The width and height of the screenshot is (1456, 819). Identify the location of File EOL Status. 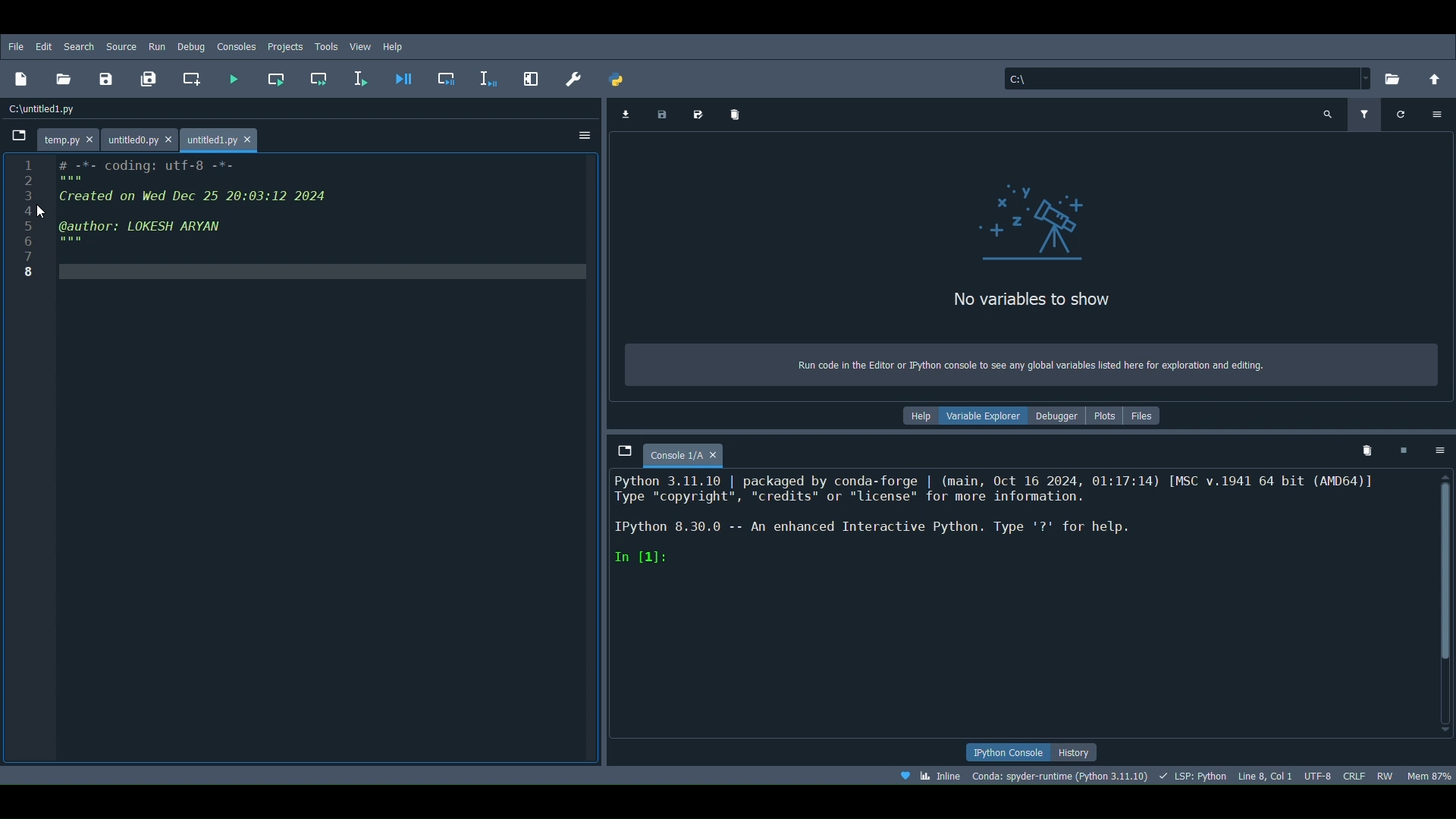
(1355, 773).